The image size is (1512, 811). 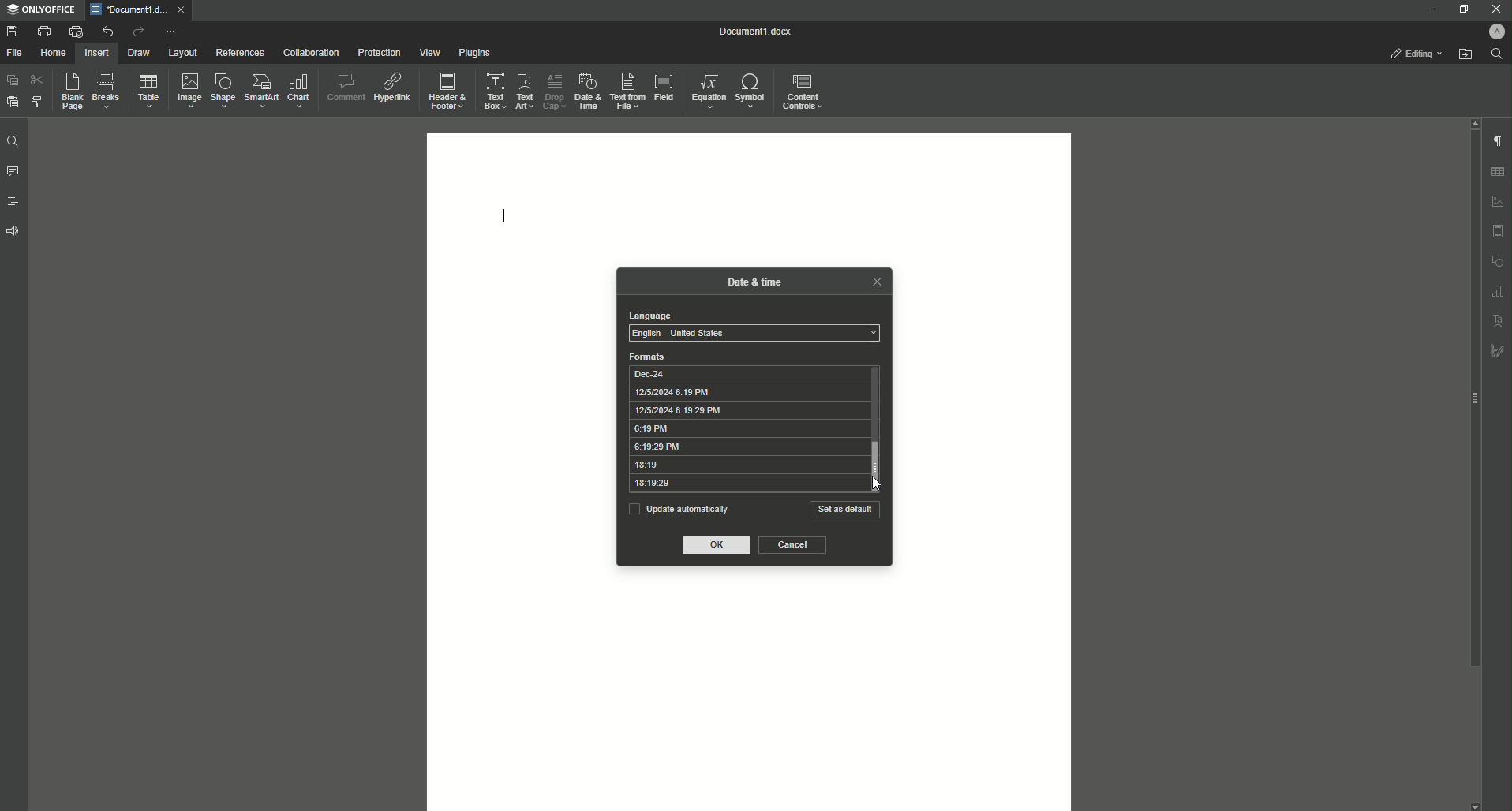 What do you see at coordinates (172, 32) in the screenshot?
I see `More options` at bounding box center [172, 32].